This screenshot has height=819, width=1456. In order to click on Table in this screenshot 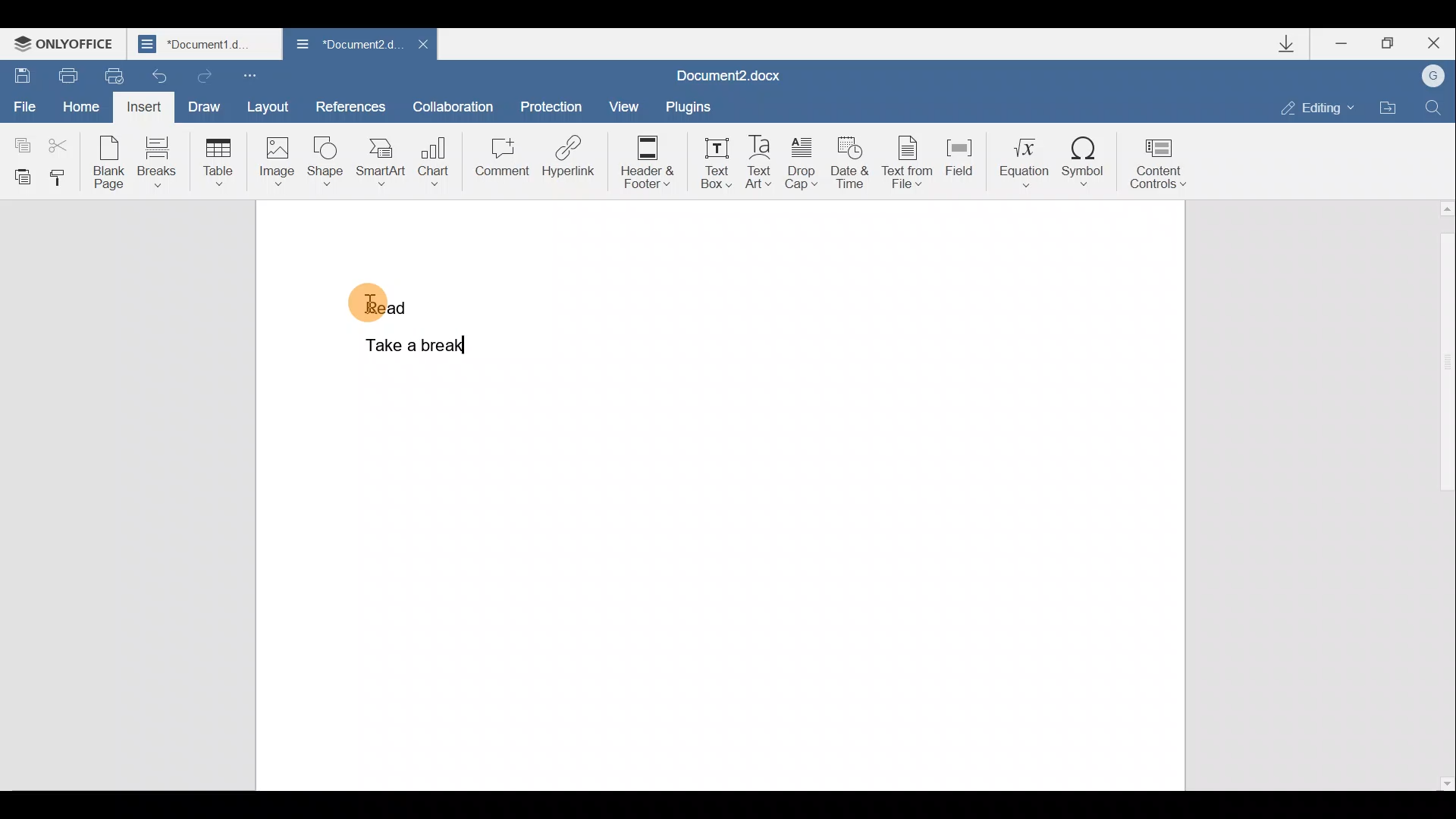, I will do `click(215, 159)`.